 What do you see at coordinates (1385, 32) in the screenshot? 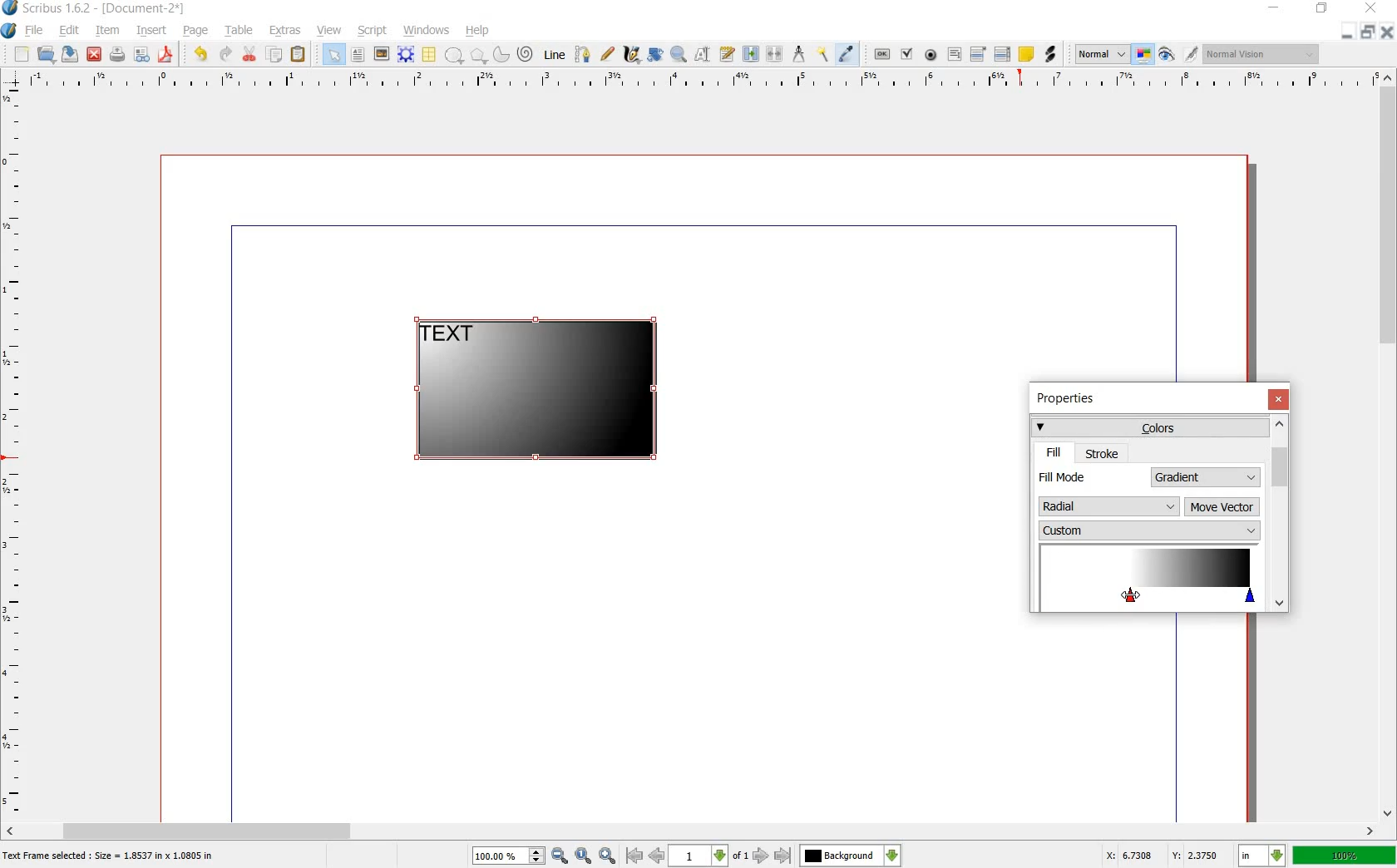
I see `close` at bounding box center [1385, 32].